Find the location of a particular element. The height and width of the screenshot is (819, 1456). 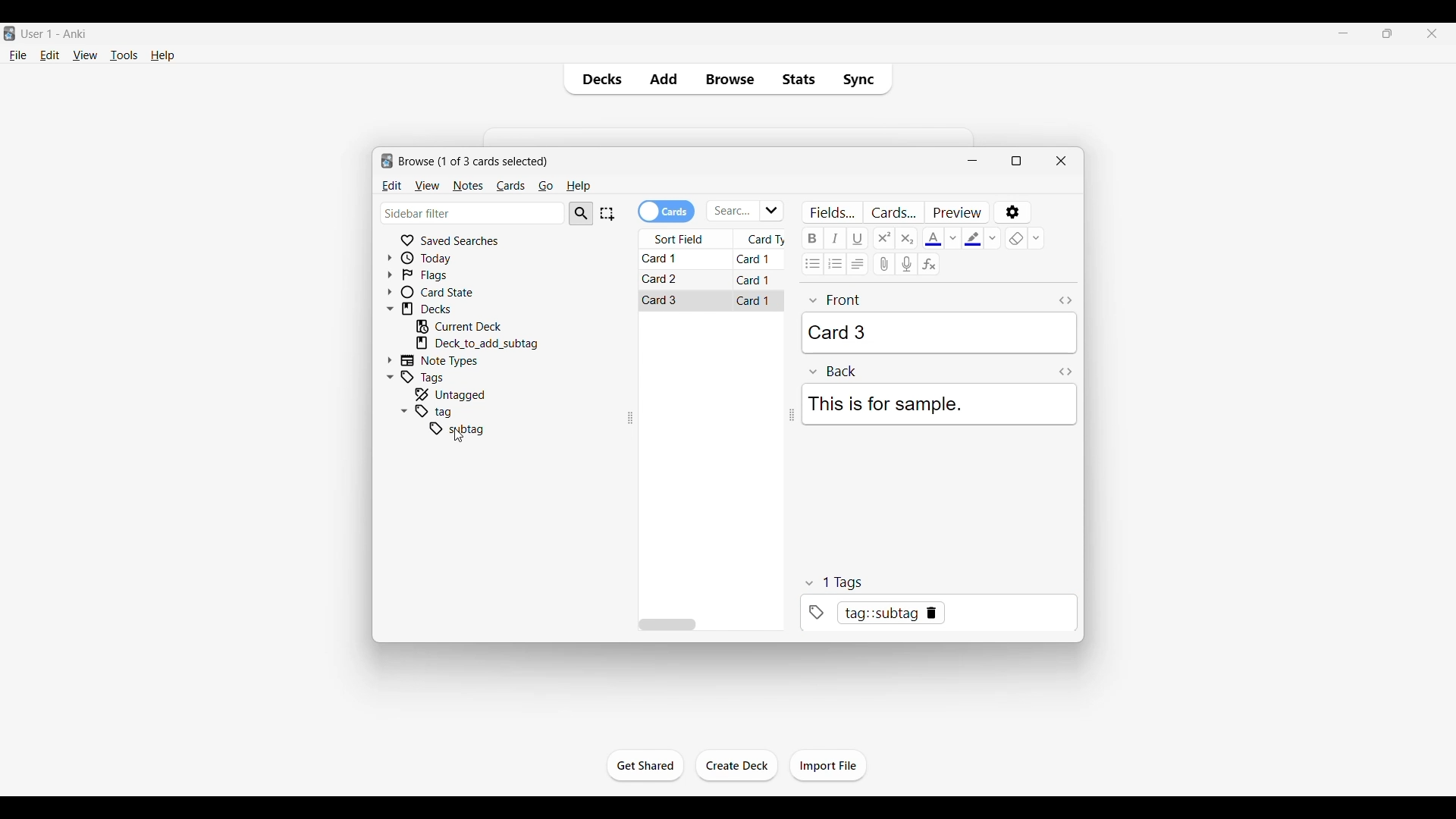

Click to type in search is located at coordinates (733, 212).